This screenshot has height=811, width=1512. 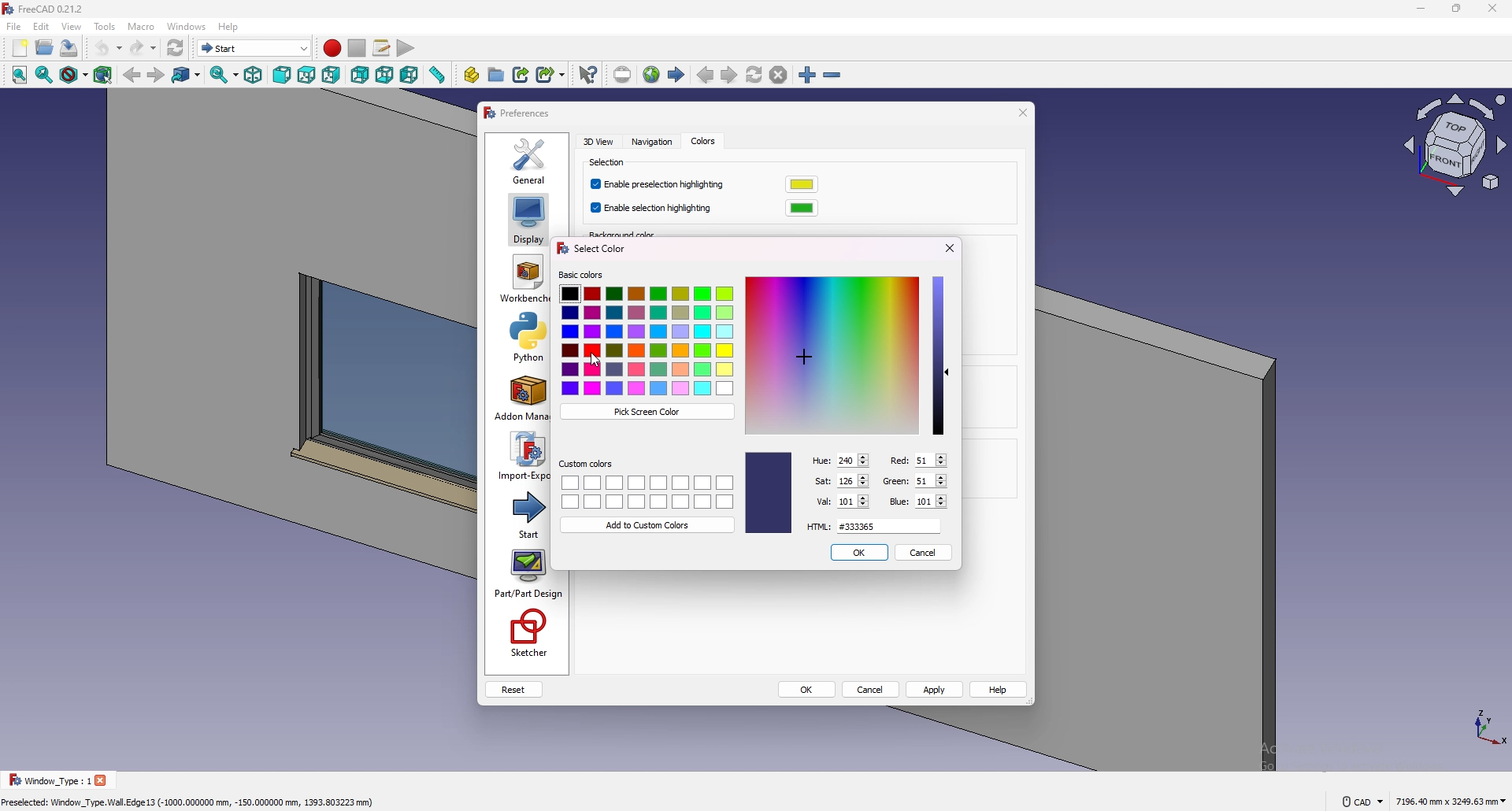 I want to click on file, so click(x=14, y=27).